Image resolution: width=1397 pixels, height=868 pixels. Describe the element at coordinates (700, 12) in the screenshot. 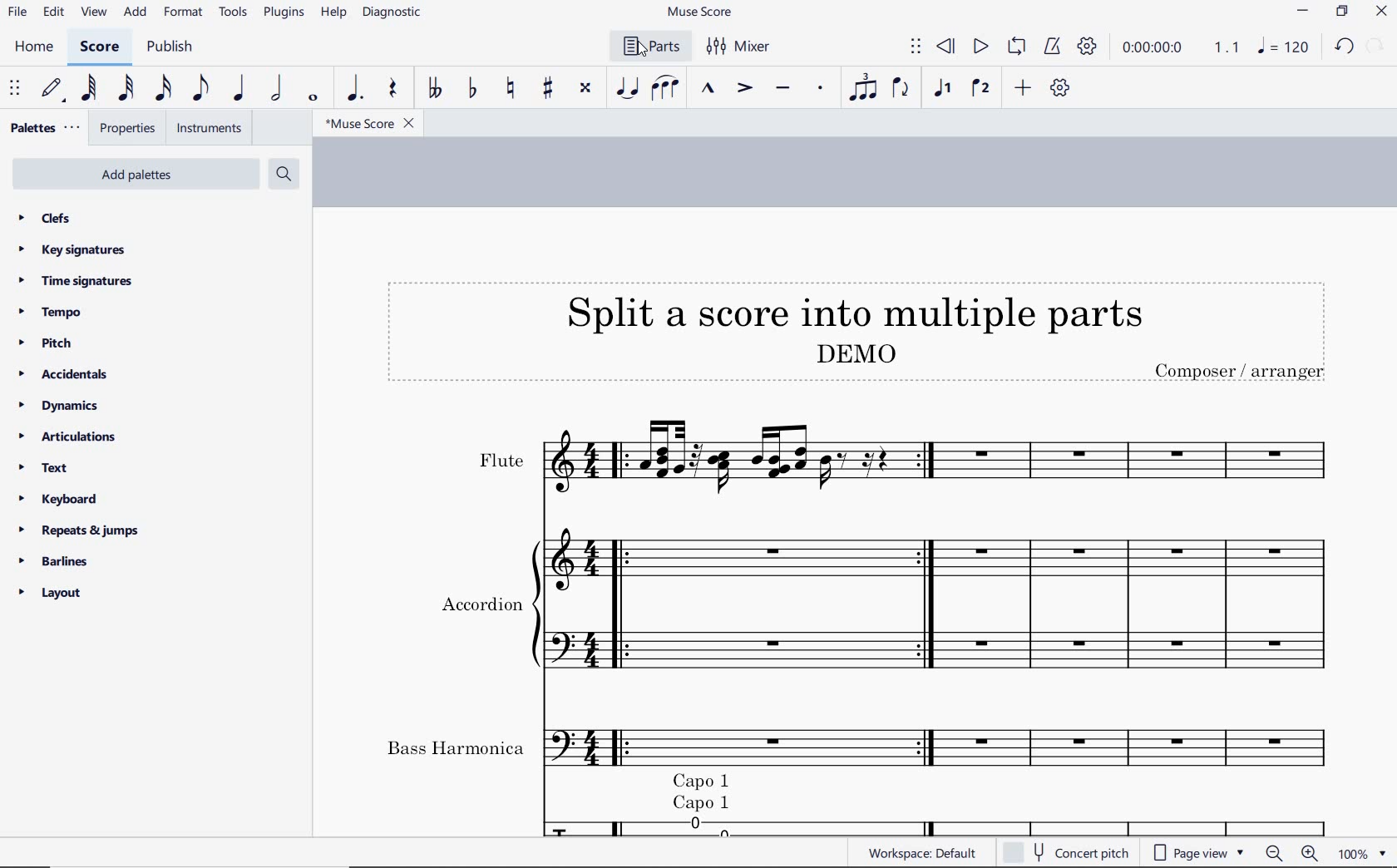

I see `file name` at that location.